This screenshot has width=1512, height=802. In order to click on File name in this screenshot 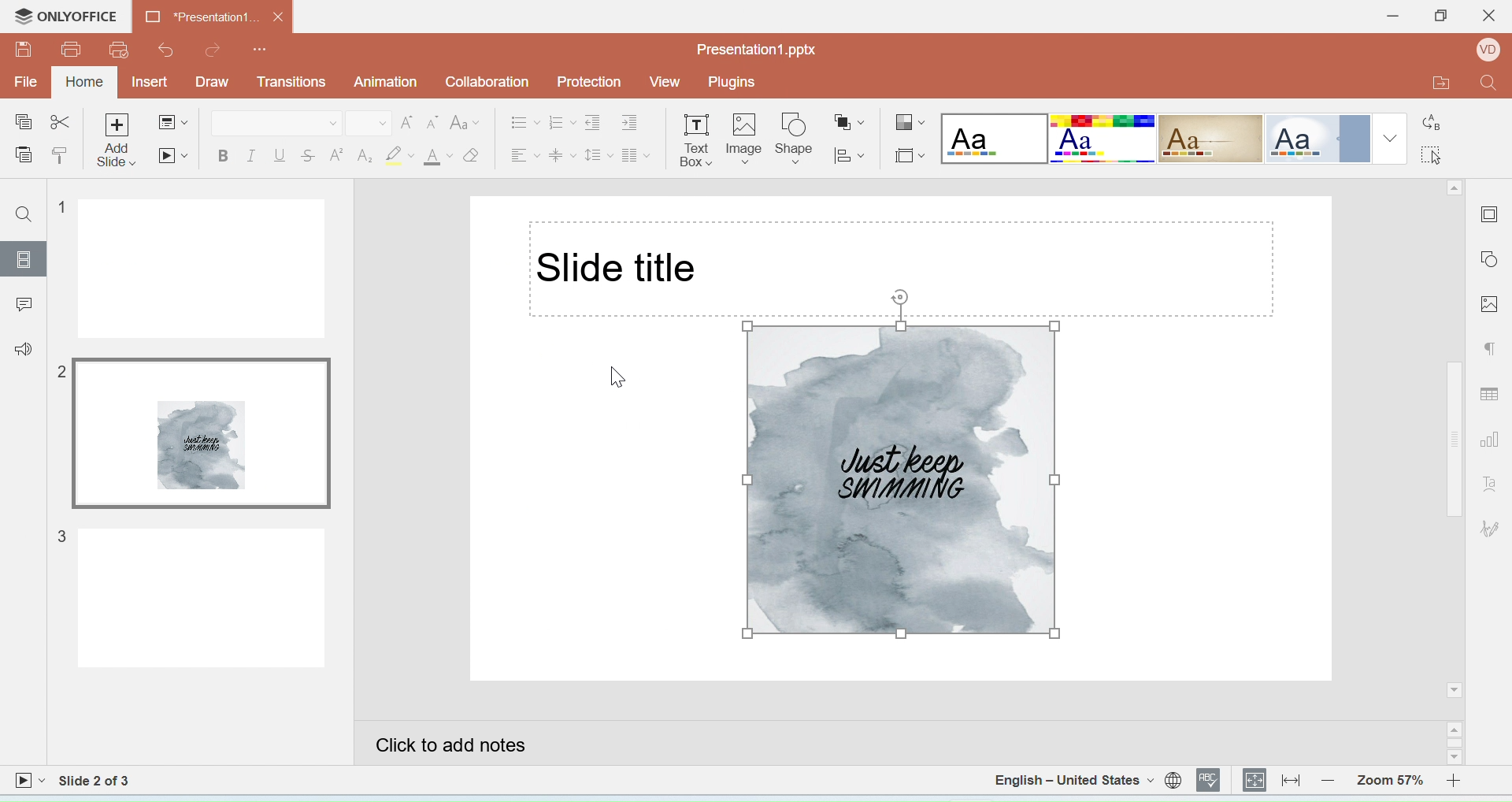, I will do `click(758, 50)`.